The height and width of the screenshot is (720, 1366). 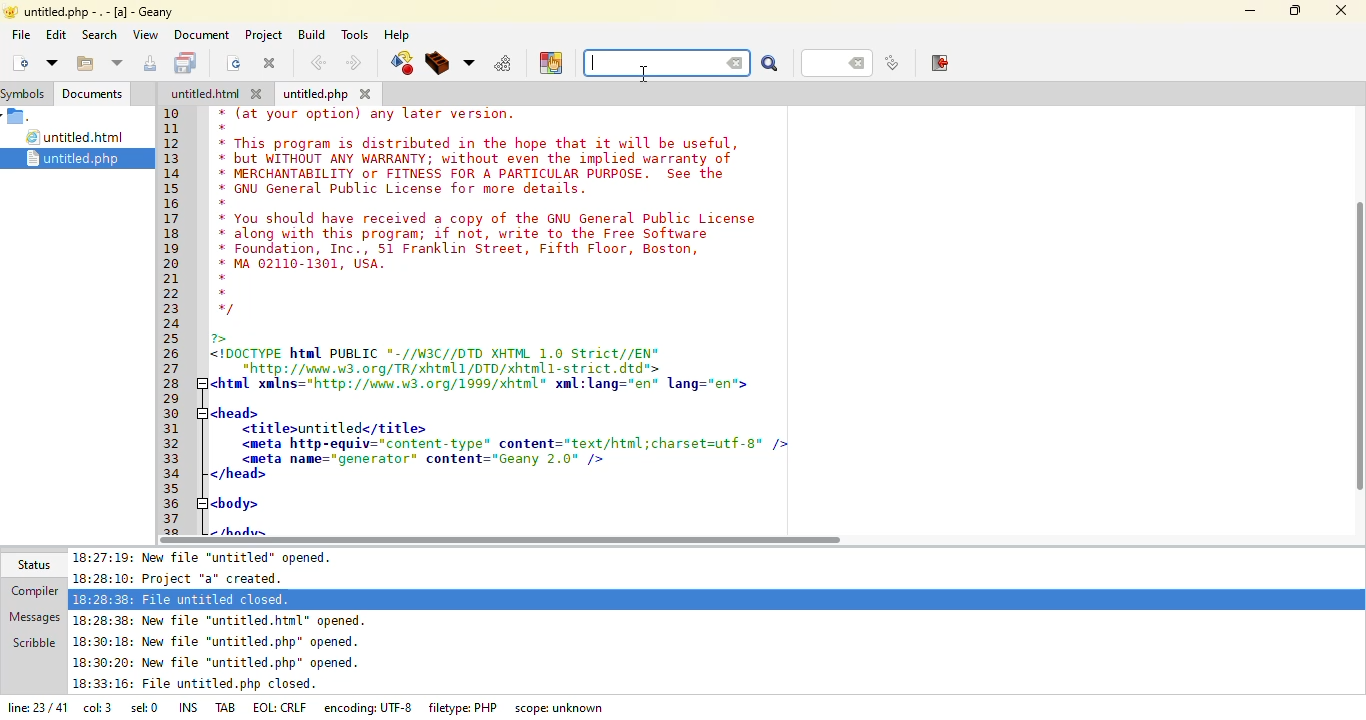 What do you see at coordinates (335, 429) in the screenshot?
I see `<title>untitled</title>` at bounding box center [335, 429].